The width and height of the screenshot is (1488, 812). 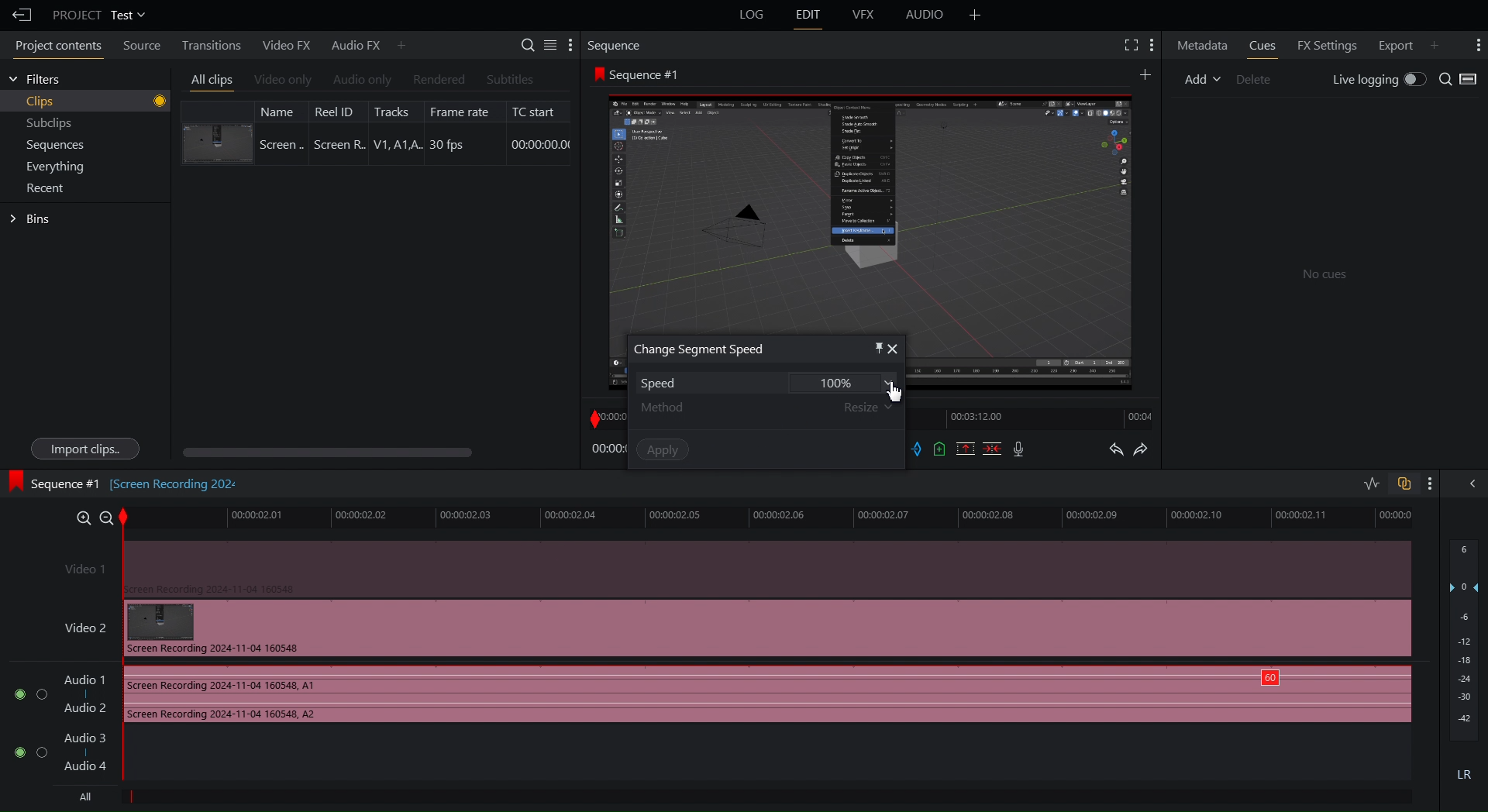 I want to click on Close, so click(x=895, y=349).